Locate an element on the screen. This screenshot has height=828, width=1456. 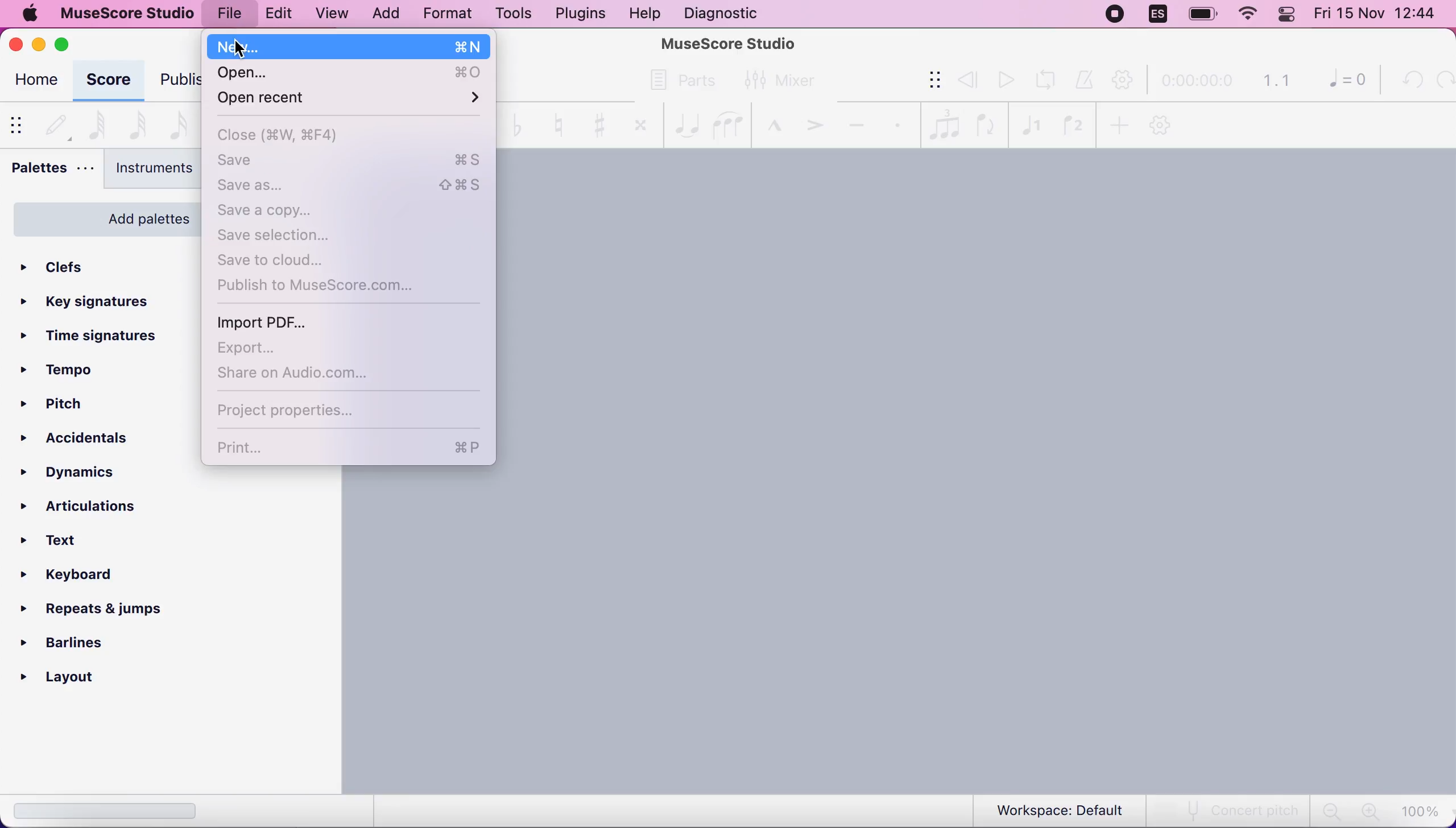
voice2 is located at coordinates (1072, 123).